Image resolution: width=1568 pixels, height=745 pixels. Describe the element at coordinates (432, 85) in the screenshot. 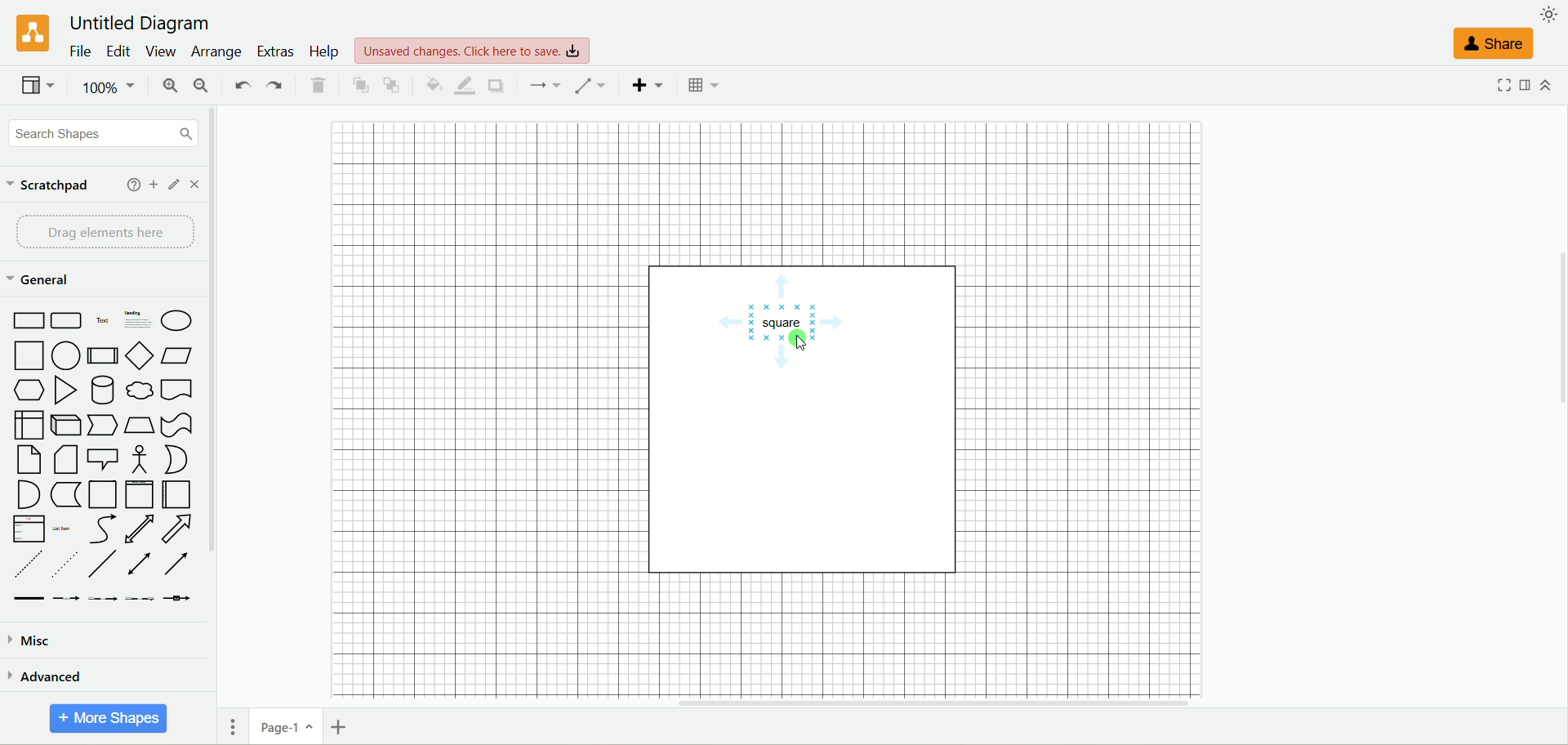

I see `fill color` at that location.